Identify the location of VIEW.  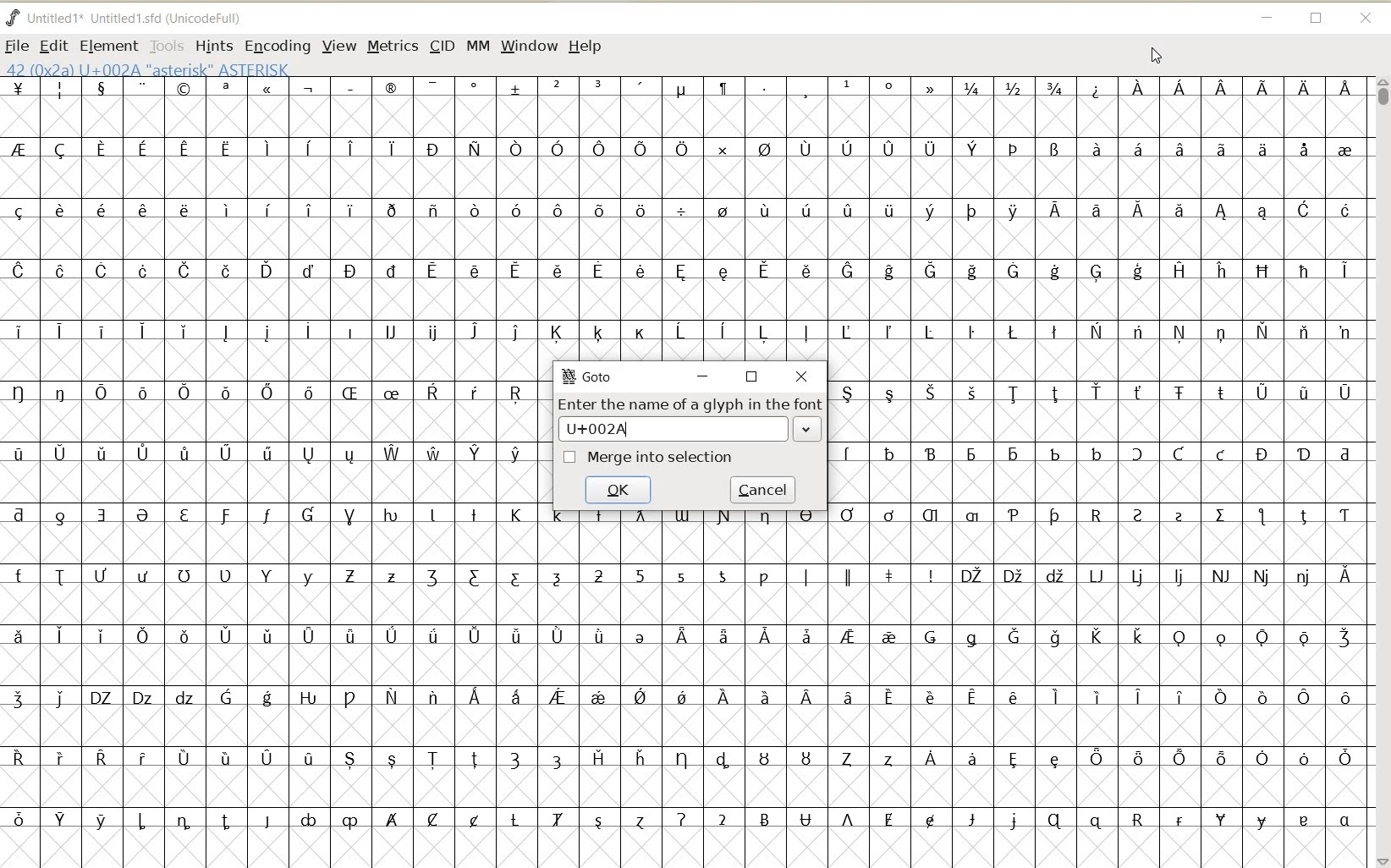
(339, 47).